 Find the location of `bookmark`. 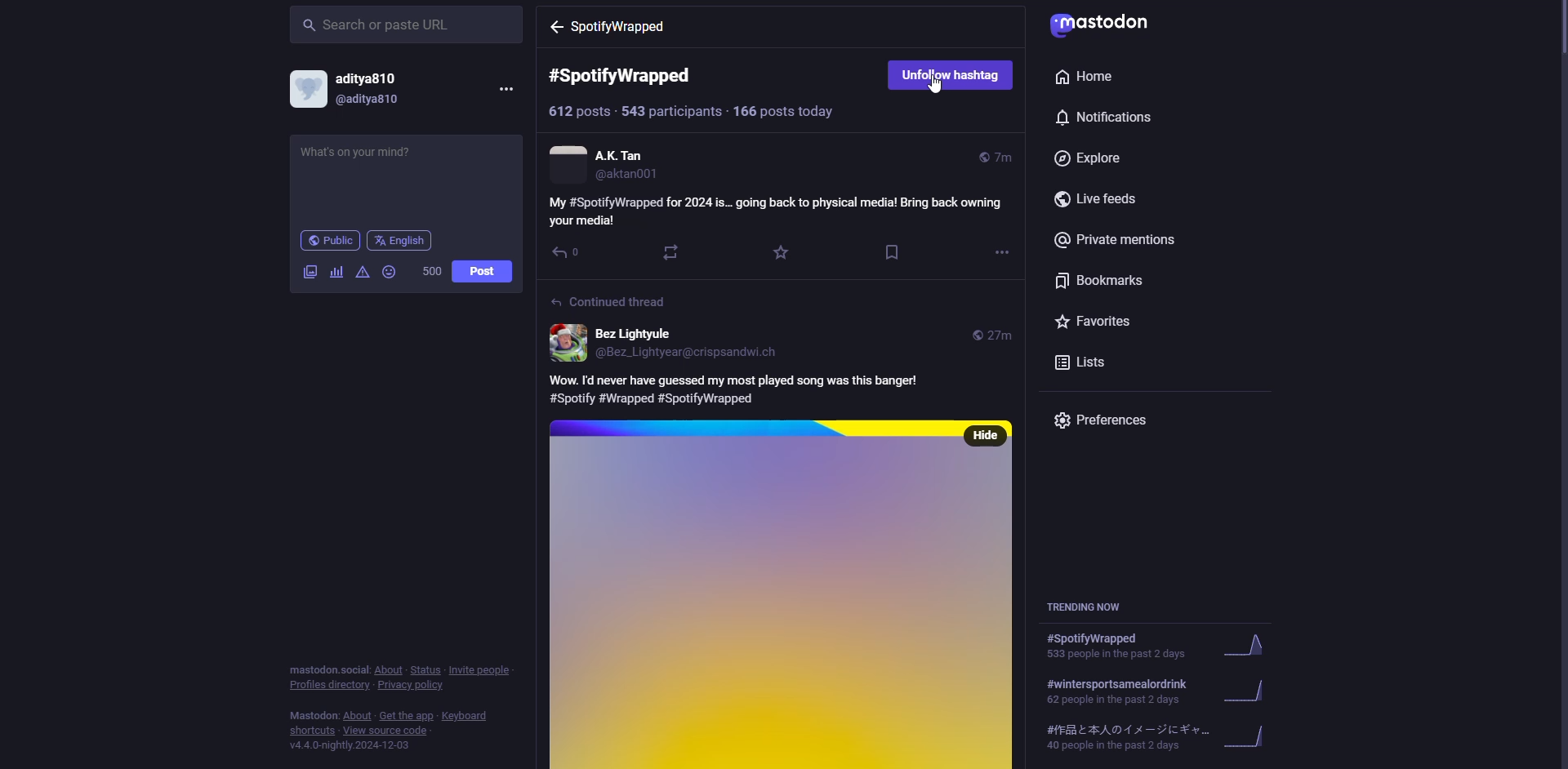

bookmark is located at coordinates (892, 251).